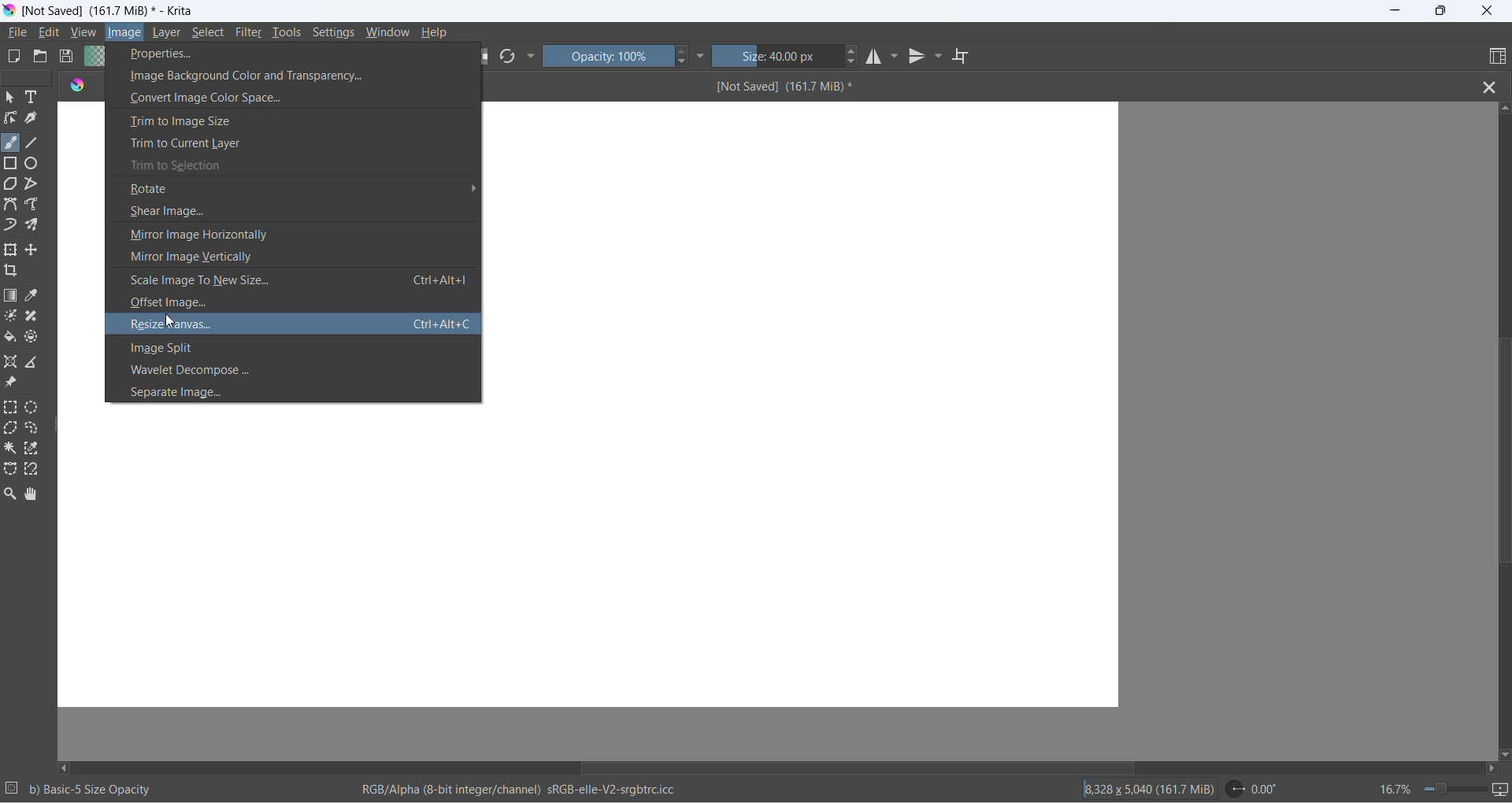 This screenshot has width=1512, height=803. Describe the element at coordinates (10, 118) in the screenshot. I see `edit shape tool` at that location.